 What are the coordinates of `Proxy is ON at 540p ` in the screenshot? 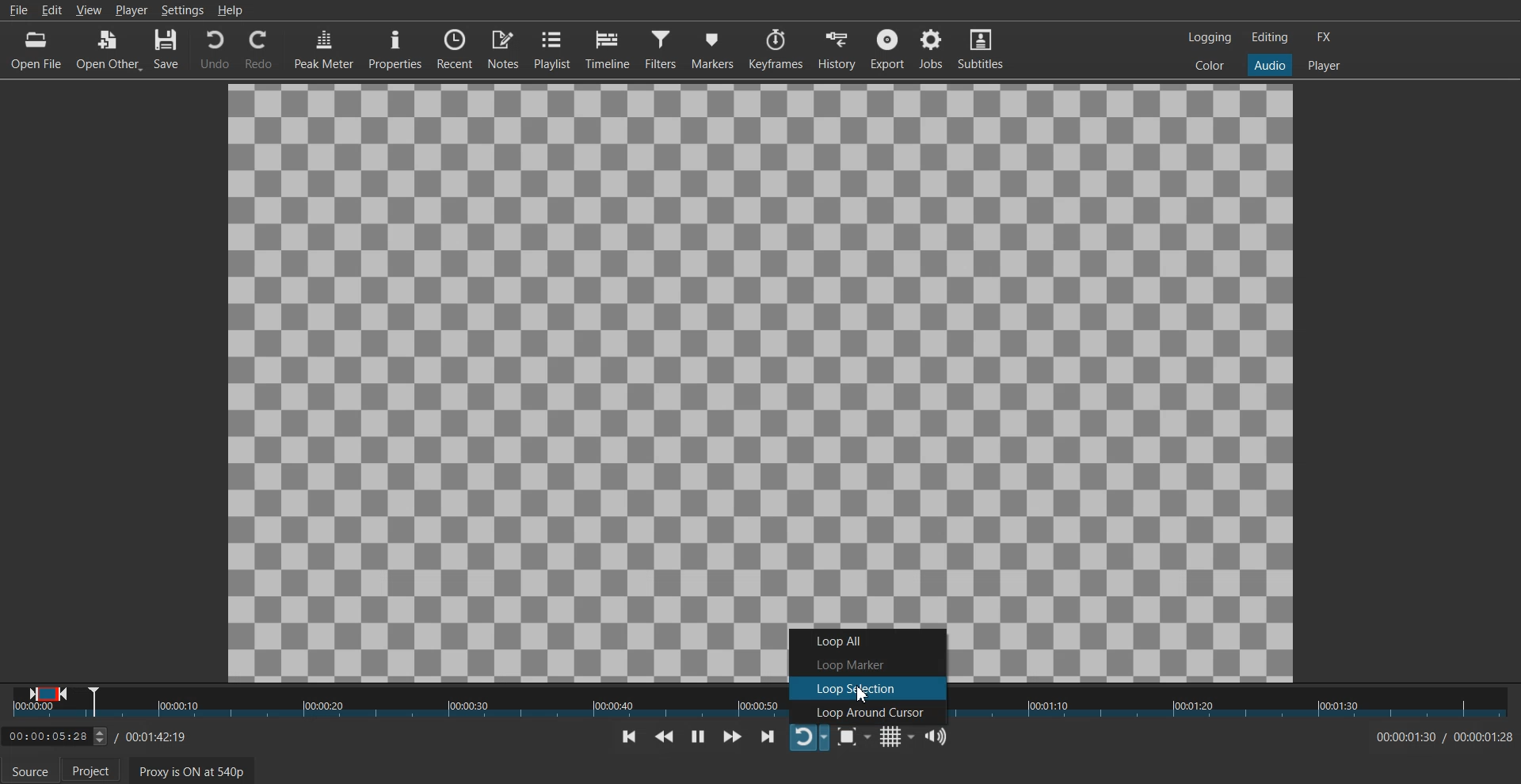 It's located at (190, 770).